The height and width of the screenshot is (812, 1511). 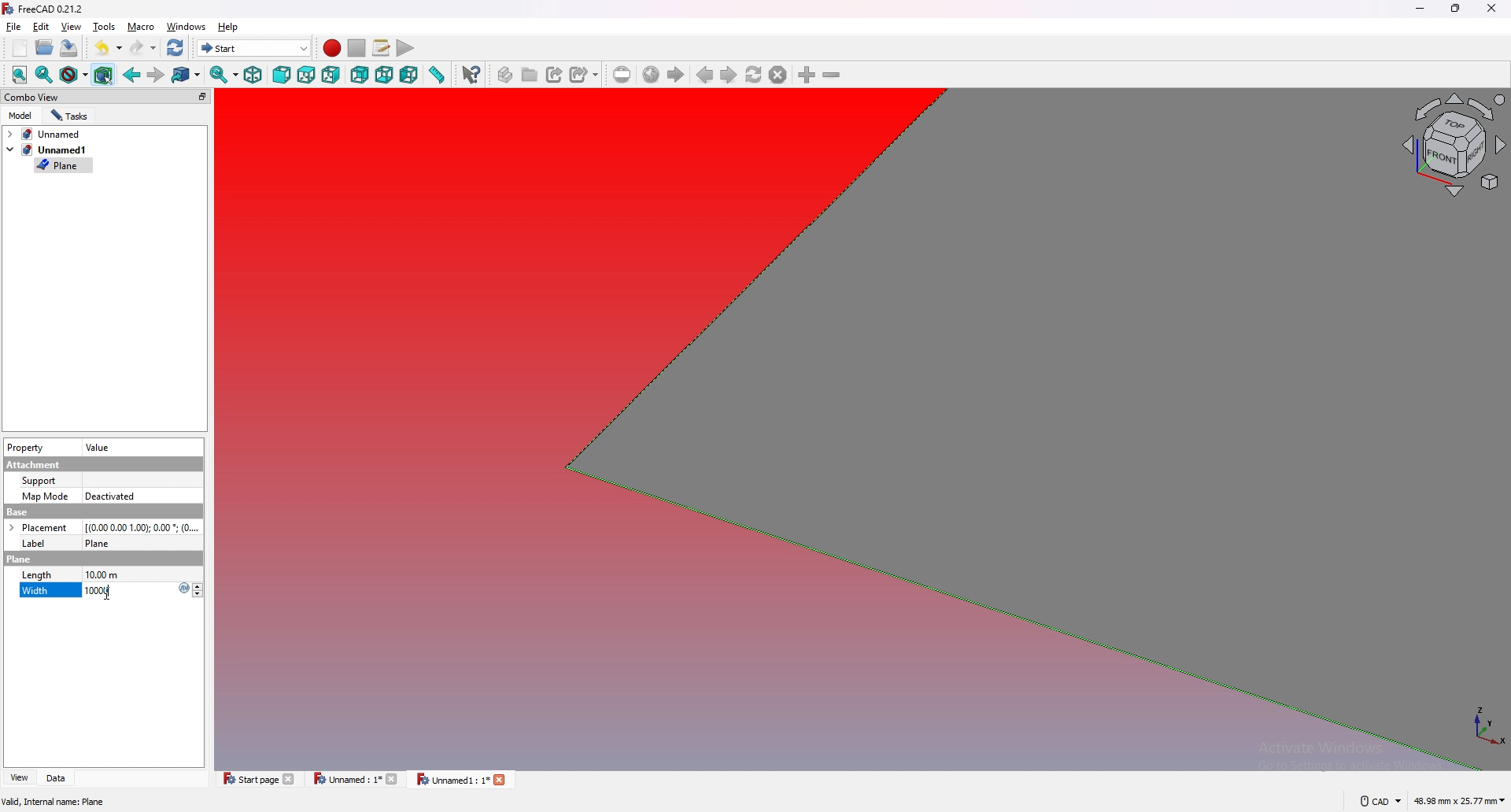 What do you see at coordinates (253, 75) in the screenshot?
I see `isometric` at bounding box center [253, 75].